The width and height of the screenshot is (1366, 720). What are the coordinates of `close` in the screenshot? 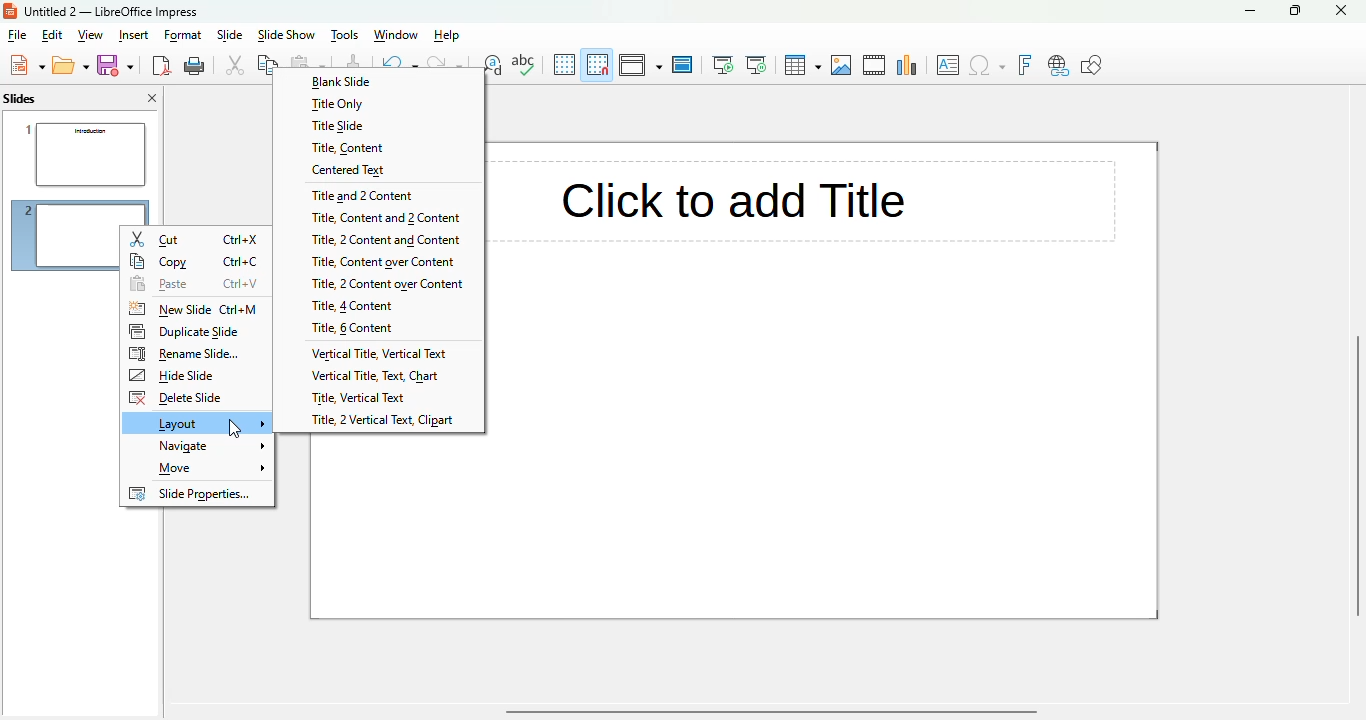 It's located at (1340, 10).